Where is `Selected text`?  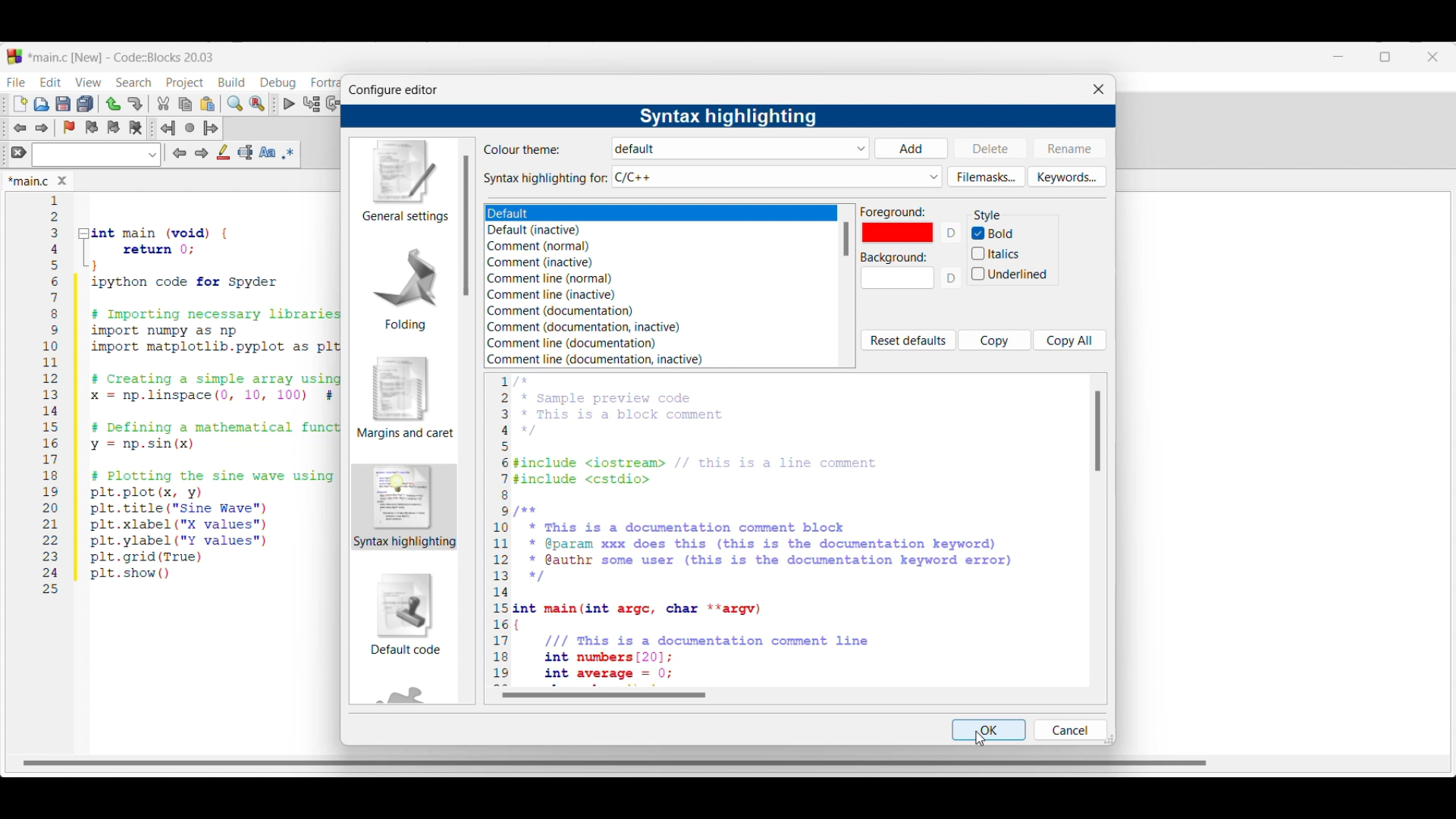
Selected text is located at coordinates (246, 152).